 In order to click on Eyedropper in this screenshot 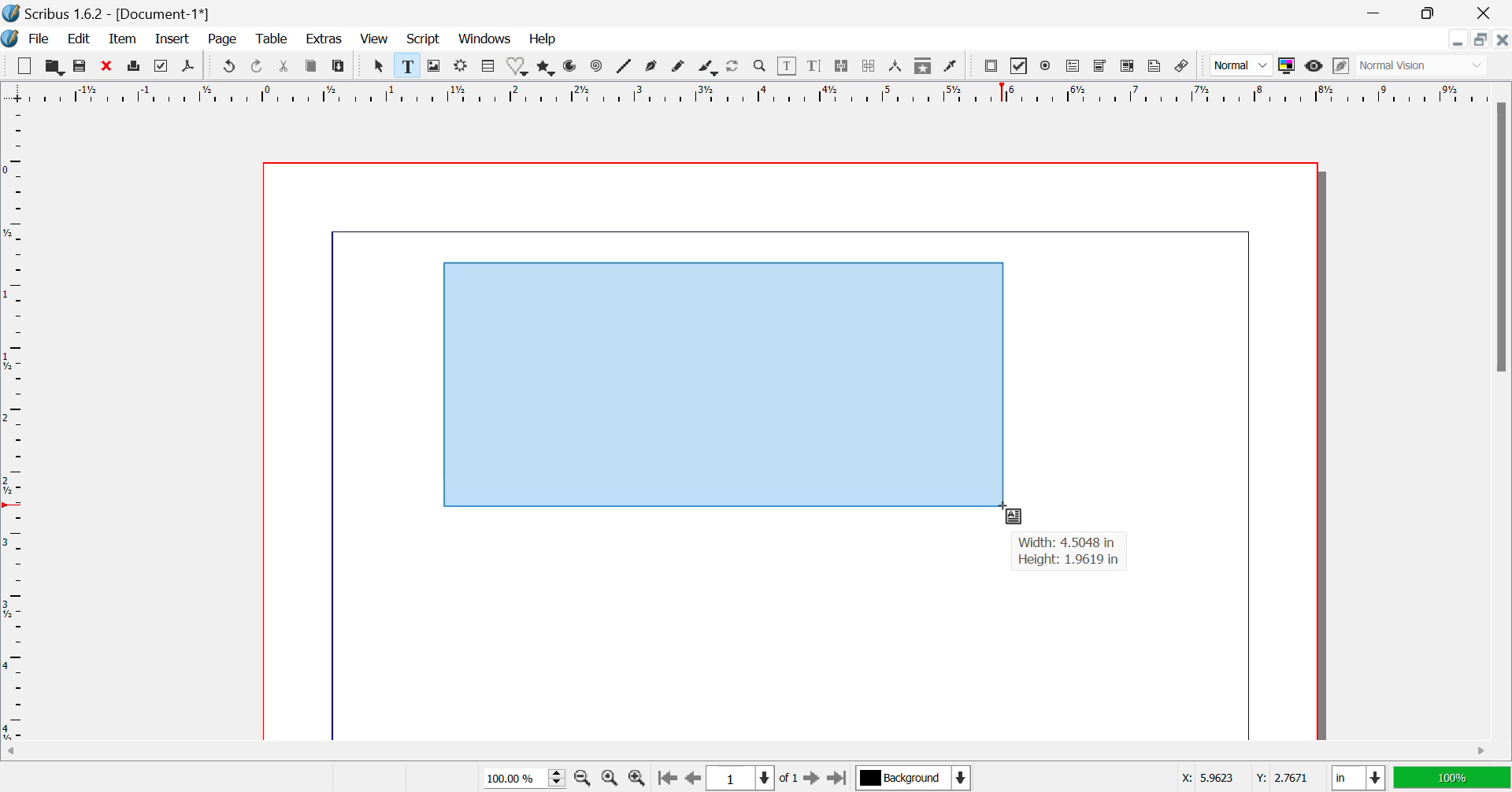, I will do `click(953, 65)`.